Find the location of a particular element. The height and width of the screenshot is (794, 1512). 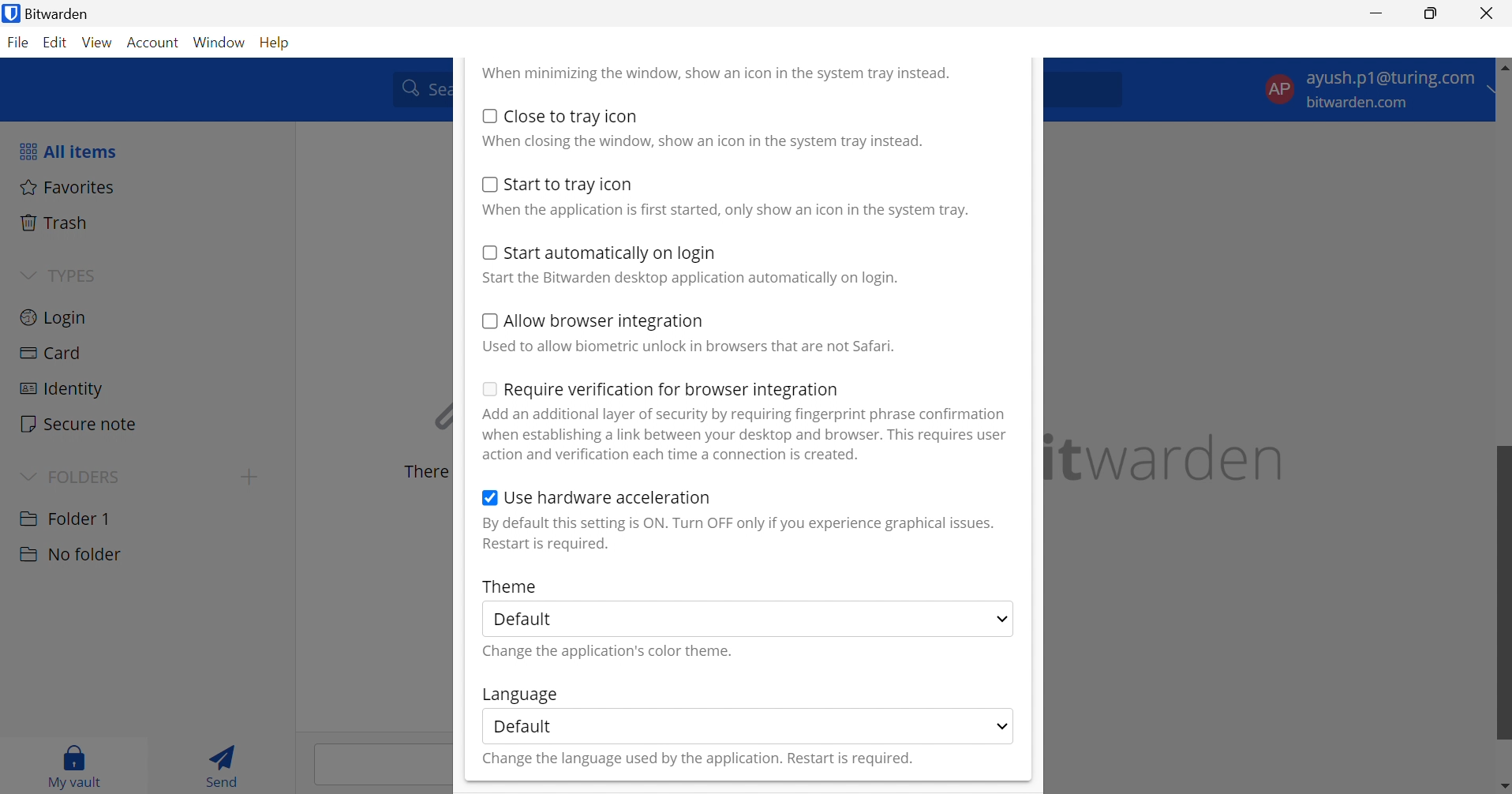

 is located at coordinates (715, 72).